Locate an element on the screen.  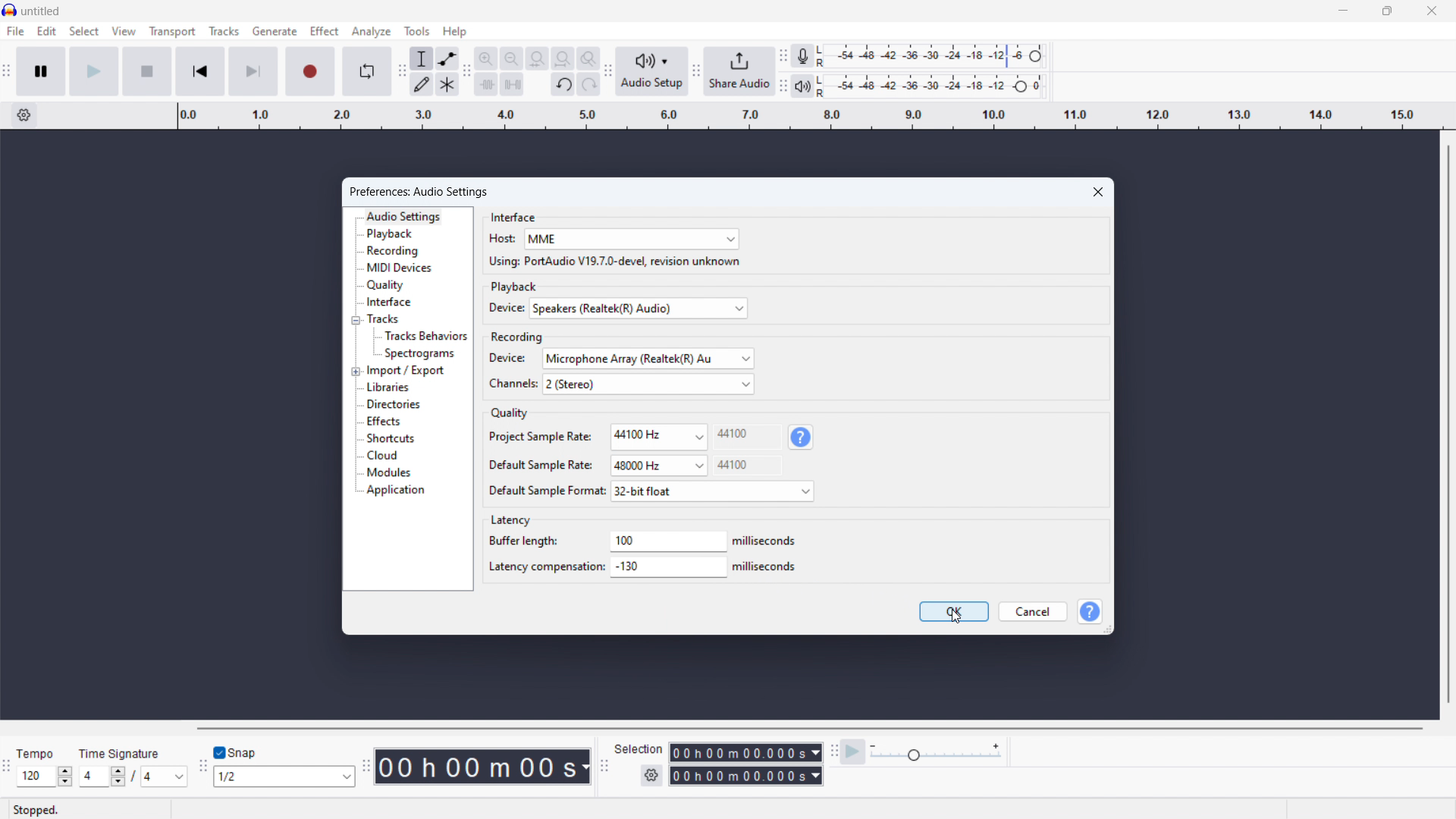
libraries is located at coordinates (390, 387).